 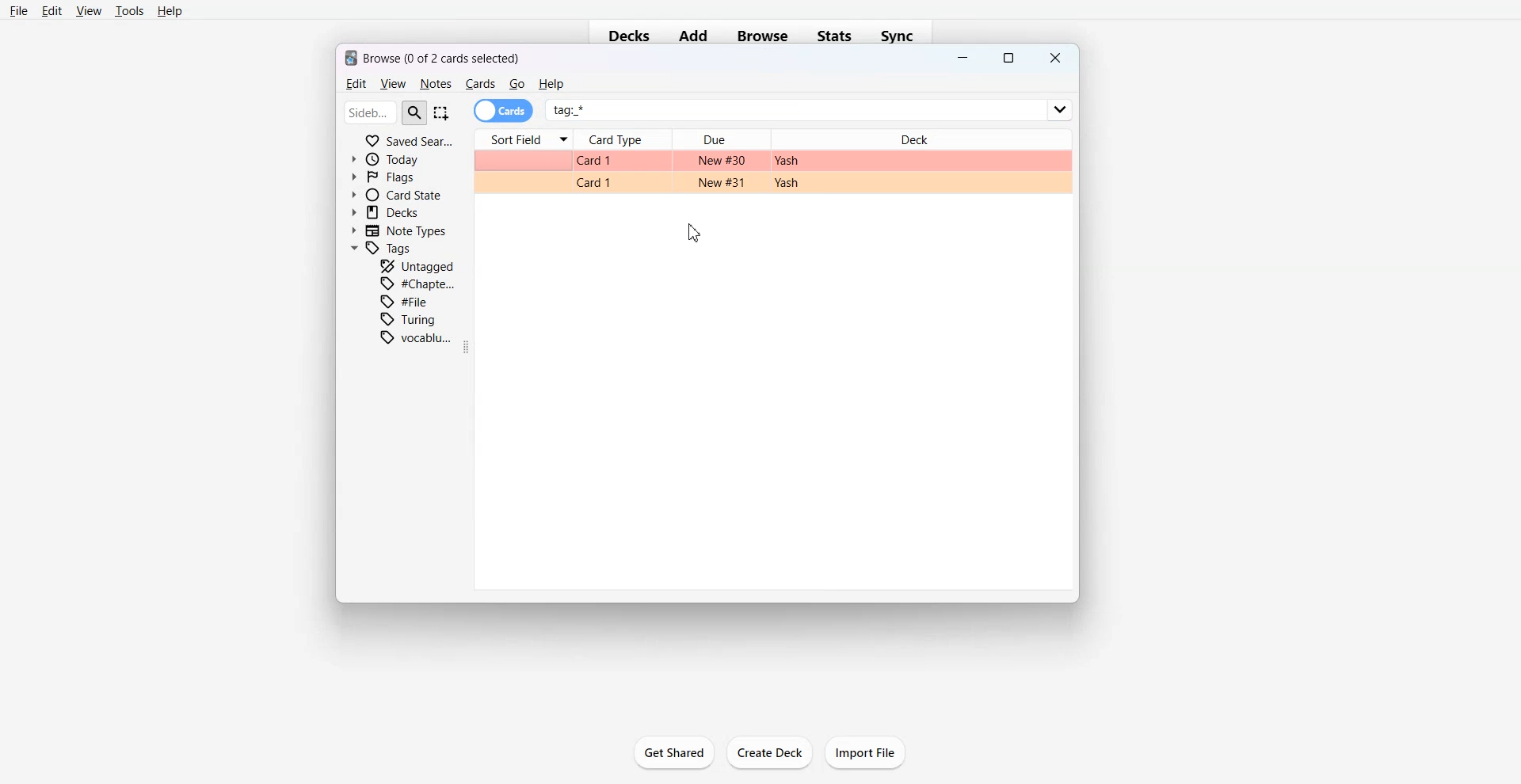 What do you see at coordinates (386, 112) in the screenshot?
I see `Search Bar` at bounding box center [386, 112].